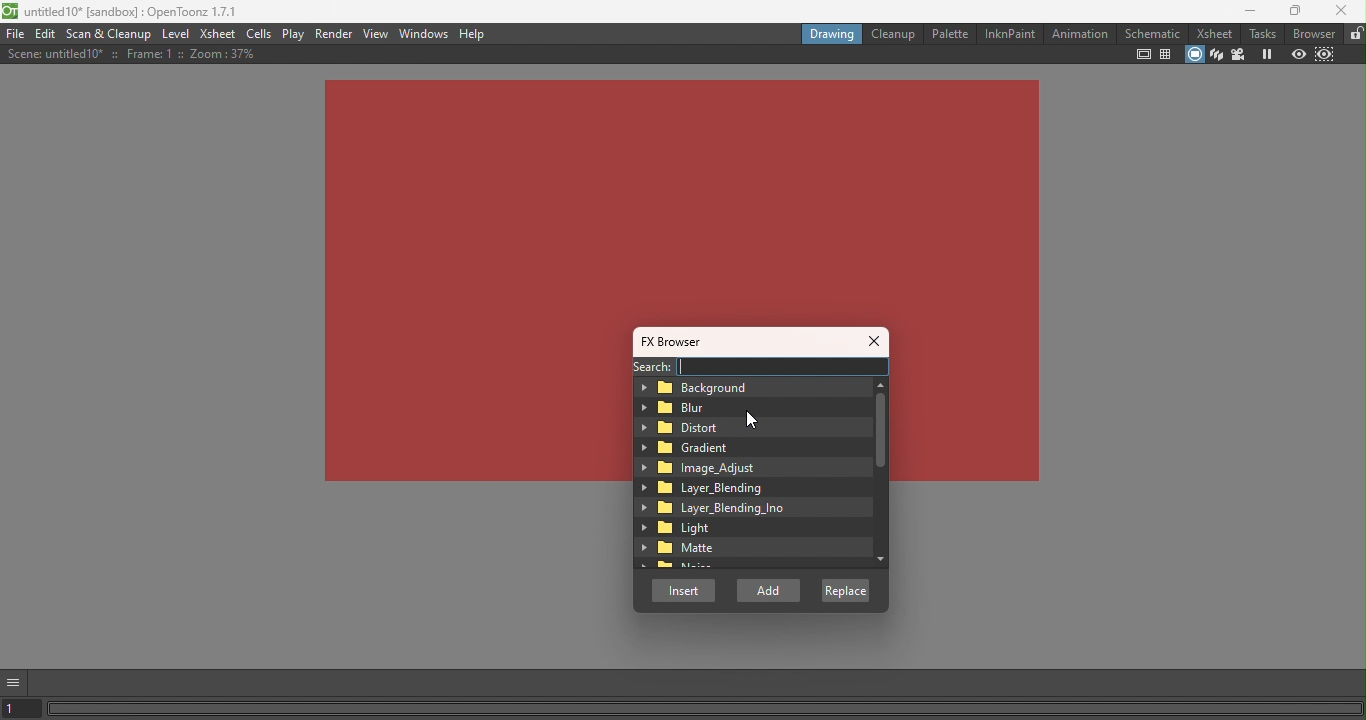 The height and width of the screenshot is (720, 1366). I want to click on Preview, so click(1298, 53).